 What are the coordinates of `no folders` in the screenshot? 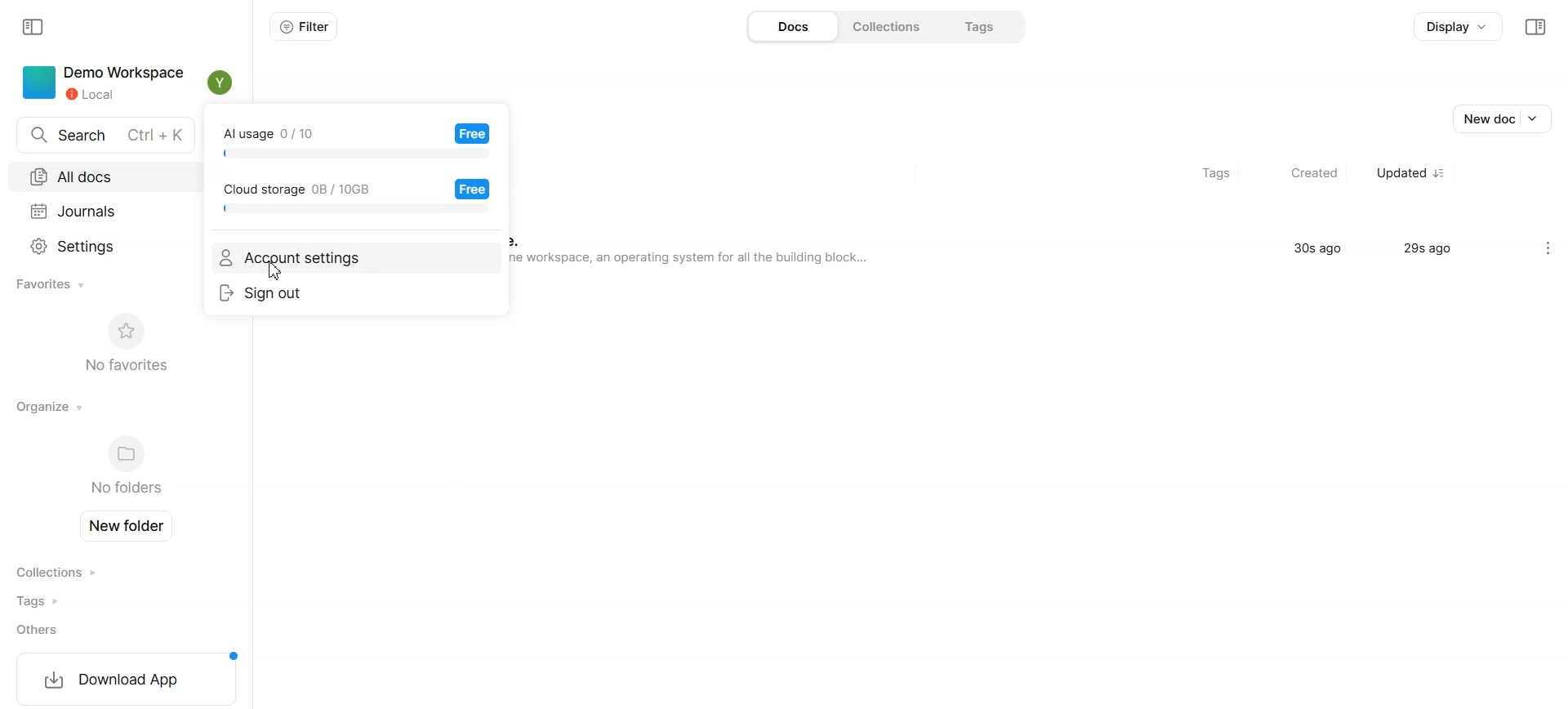 It's located at (122, 467).